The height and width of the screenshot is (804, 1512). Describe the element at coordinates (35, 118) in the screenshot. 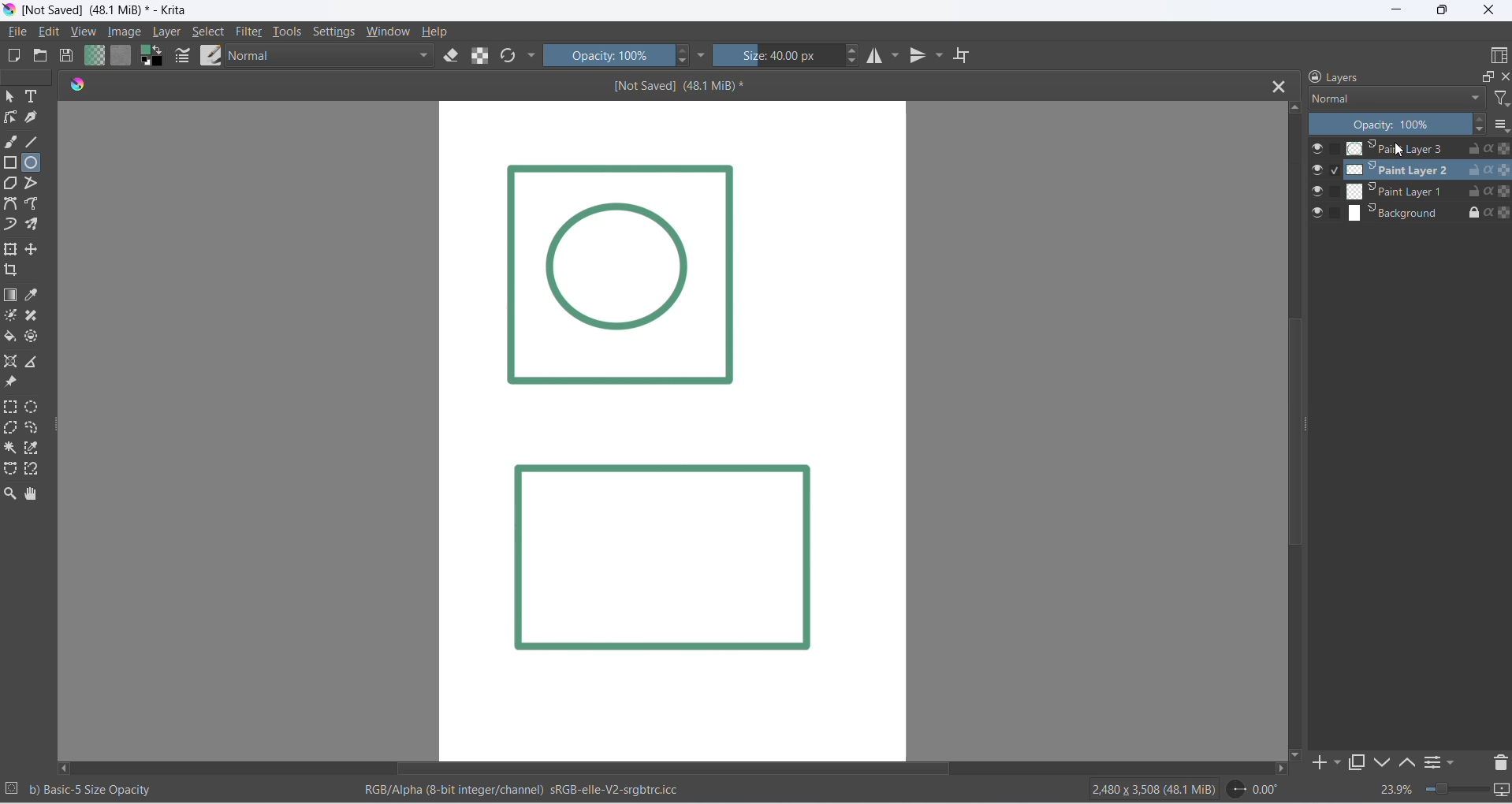

I see `calligraphy tool` at that location.